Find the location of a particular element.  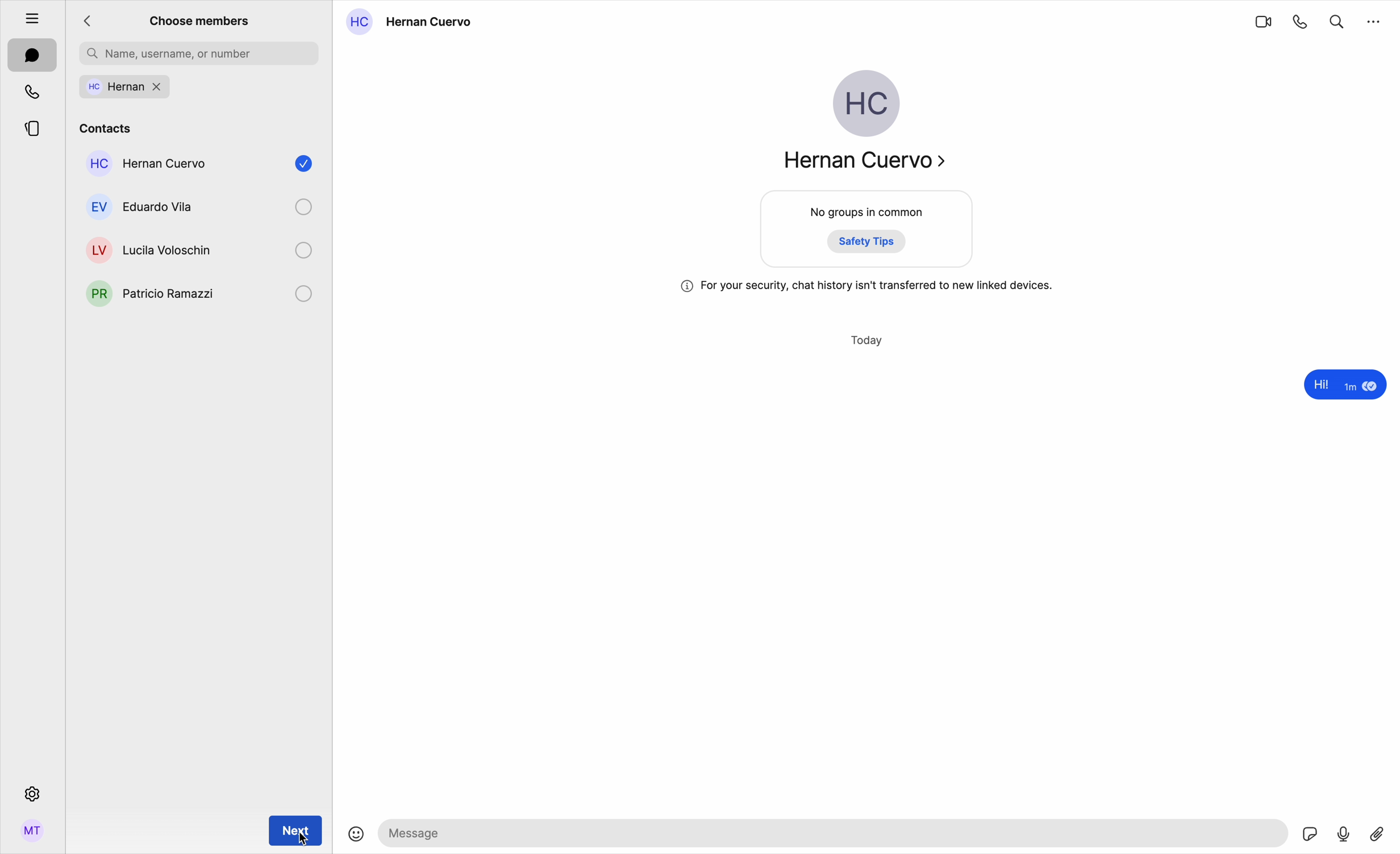

search is located at coordinates (1337, 19).